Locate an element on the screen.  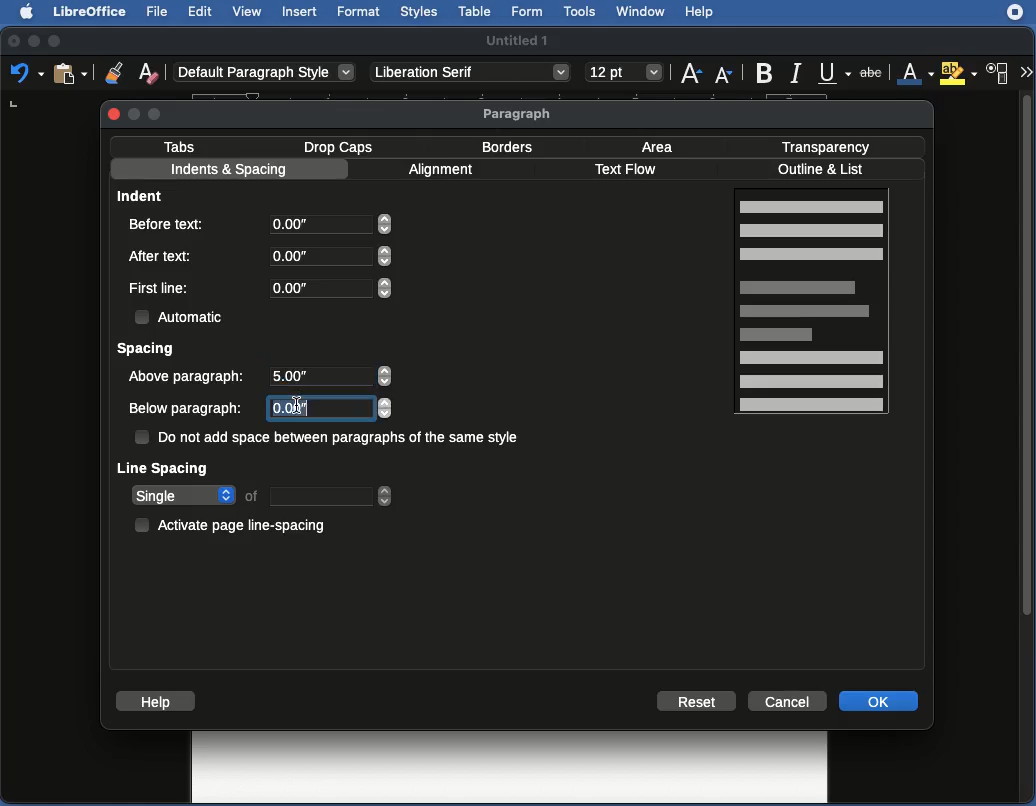
Area is located at coordinates (662, 146).